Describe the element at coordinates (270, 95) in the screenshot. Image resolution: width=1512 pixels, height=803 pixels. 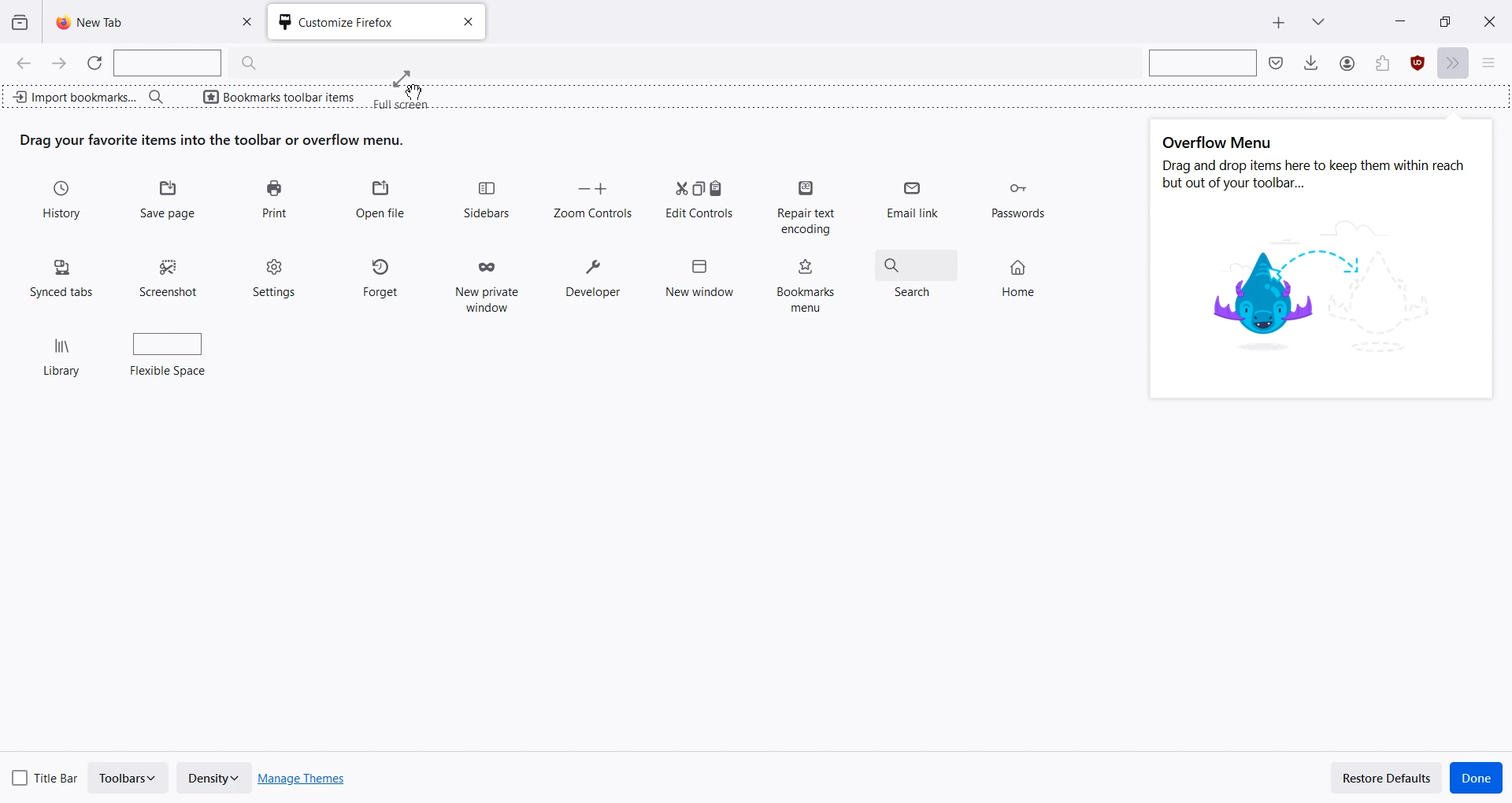
I see `Bookmarks toolbar items` at that location.